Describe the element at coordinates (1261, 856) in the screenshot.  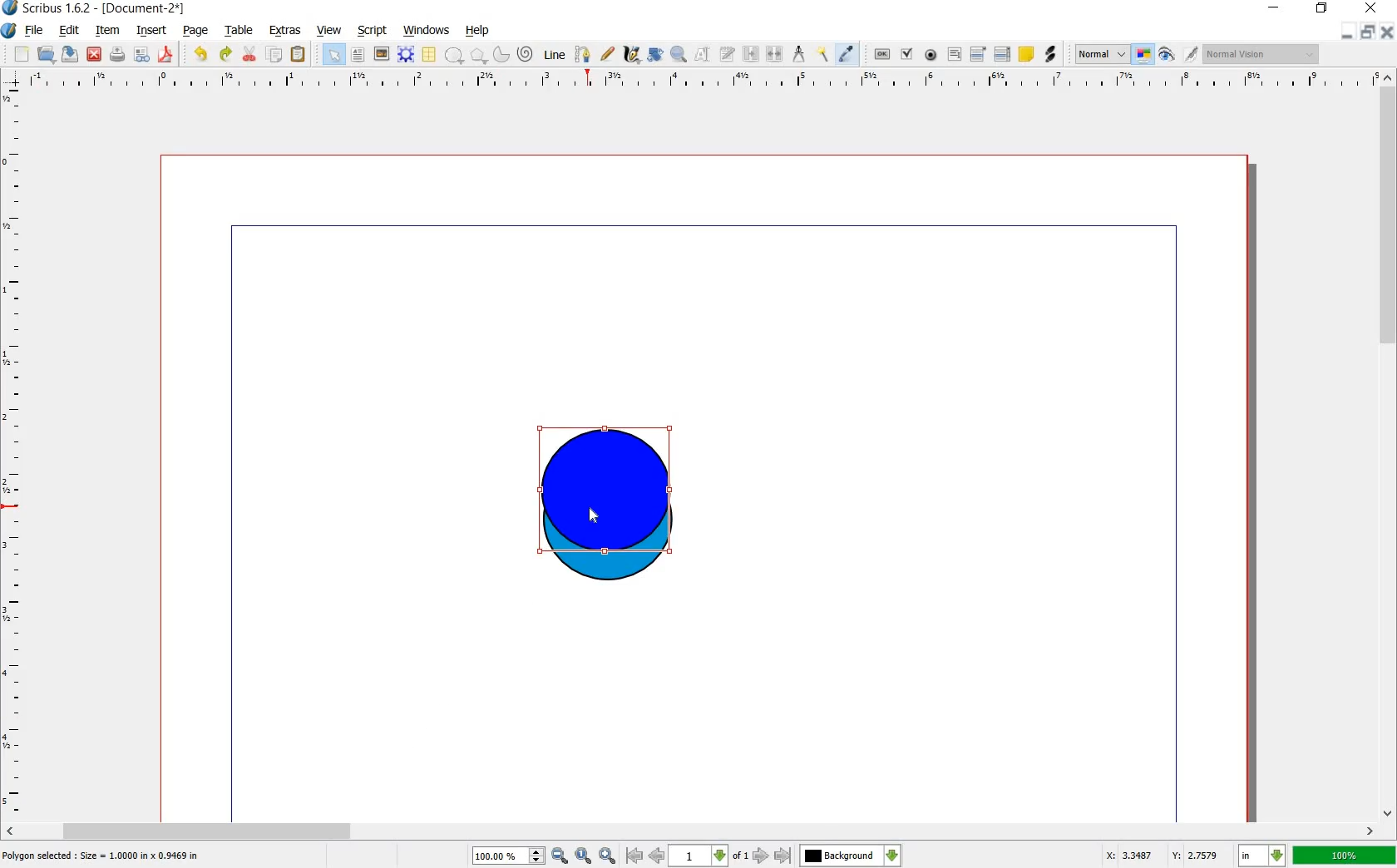
I see `in` at that location.